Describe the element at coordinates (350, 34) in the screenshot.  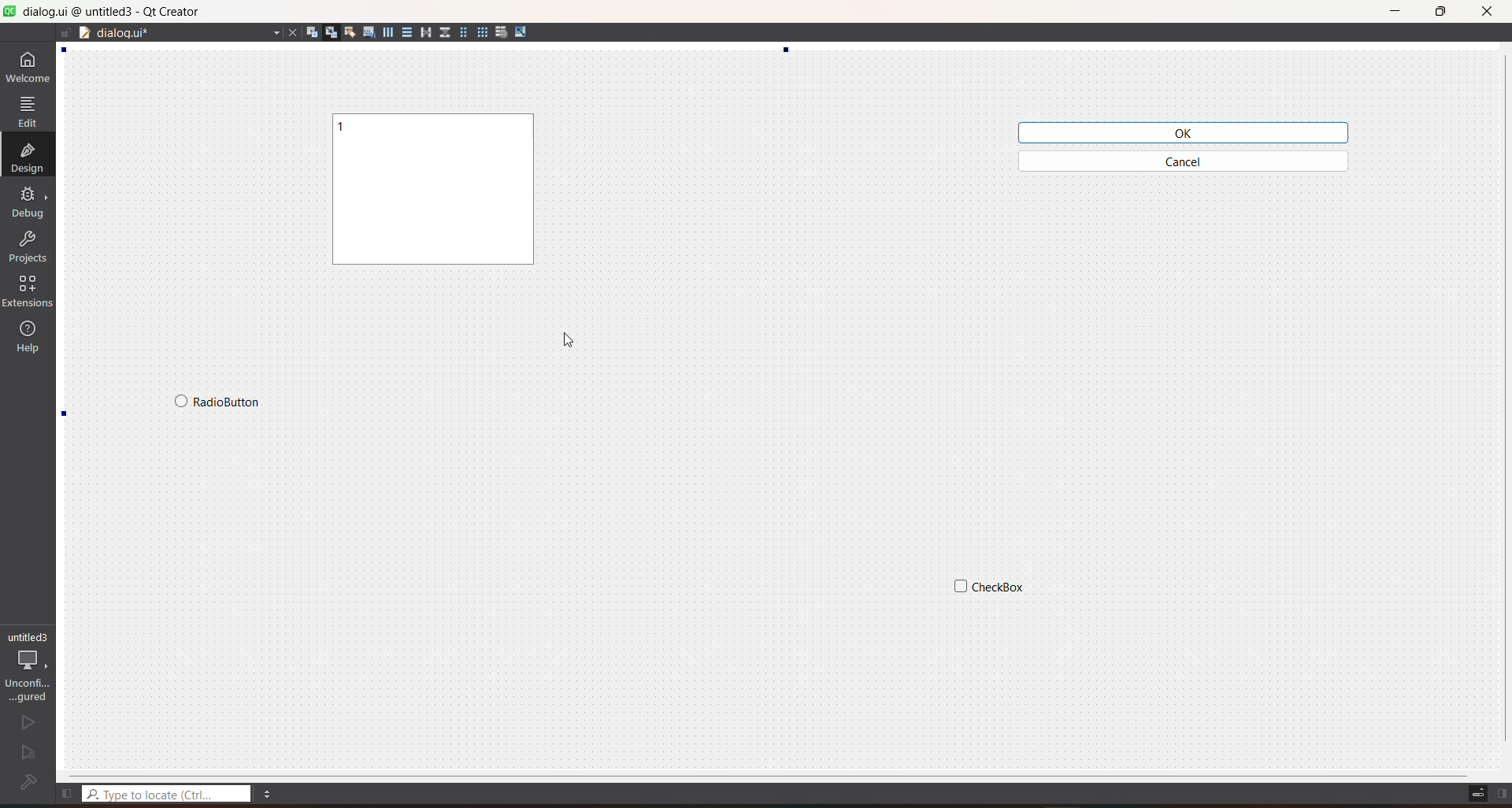
I see `edit buddies` at that location.